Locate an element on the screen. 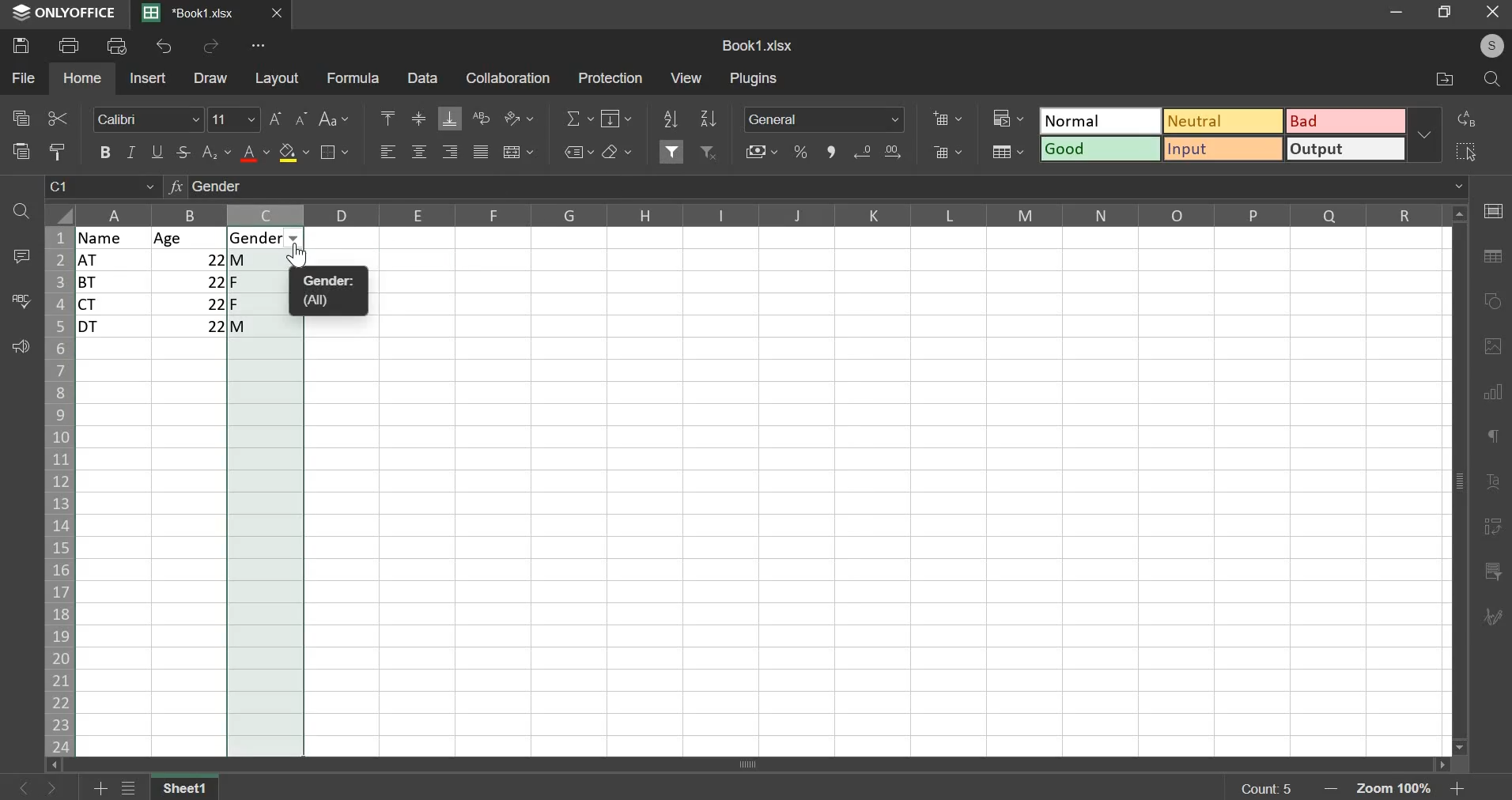 The image size is (1512, 800). file is located at coordinates (23, 77).